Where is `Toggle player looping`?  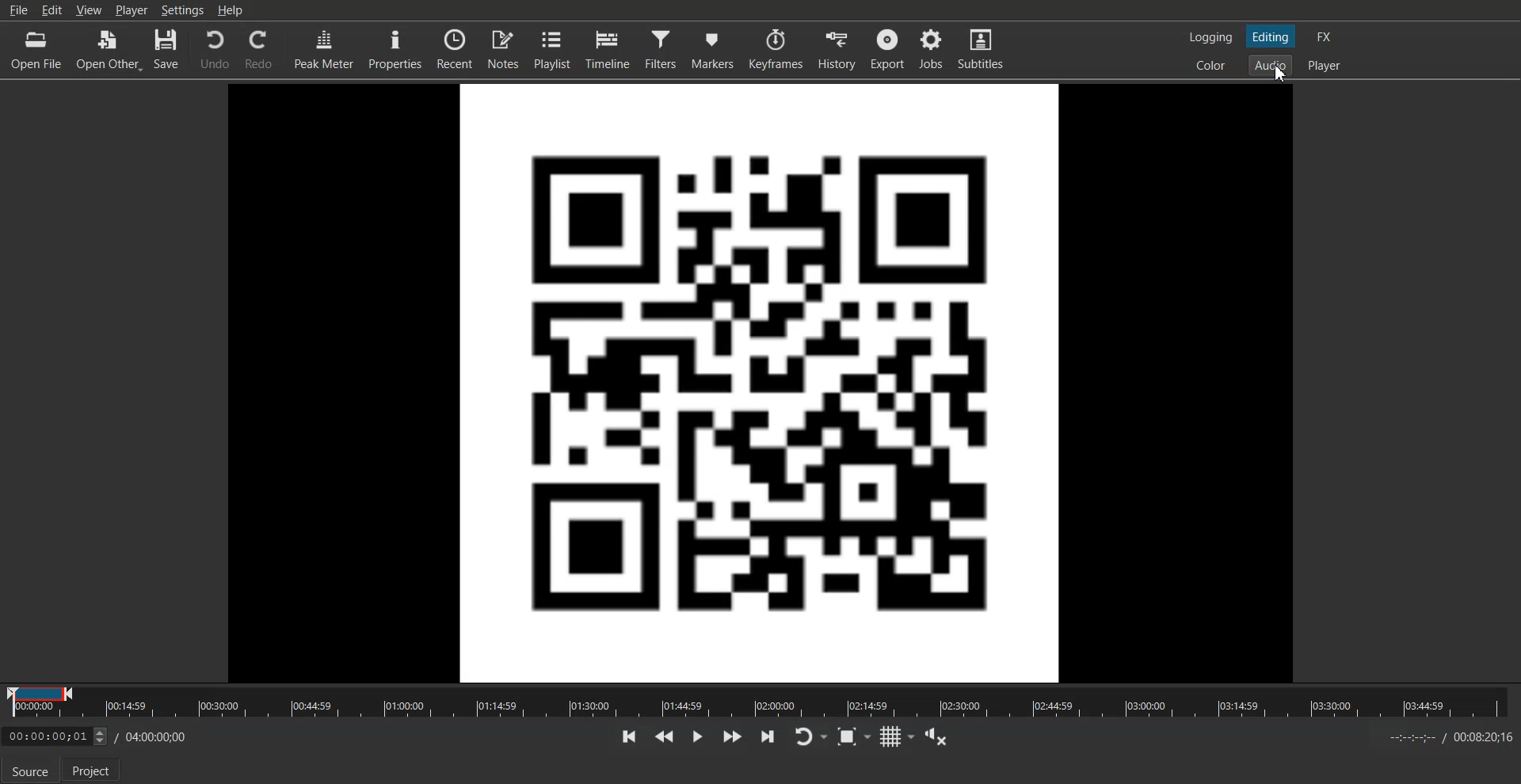 Toggle player looping is located at coordinates (810, 736).